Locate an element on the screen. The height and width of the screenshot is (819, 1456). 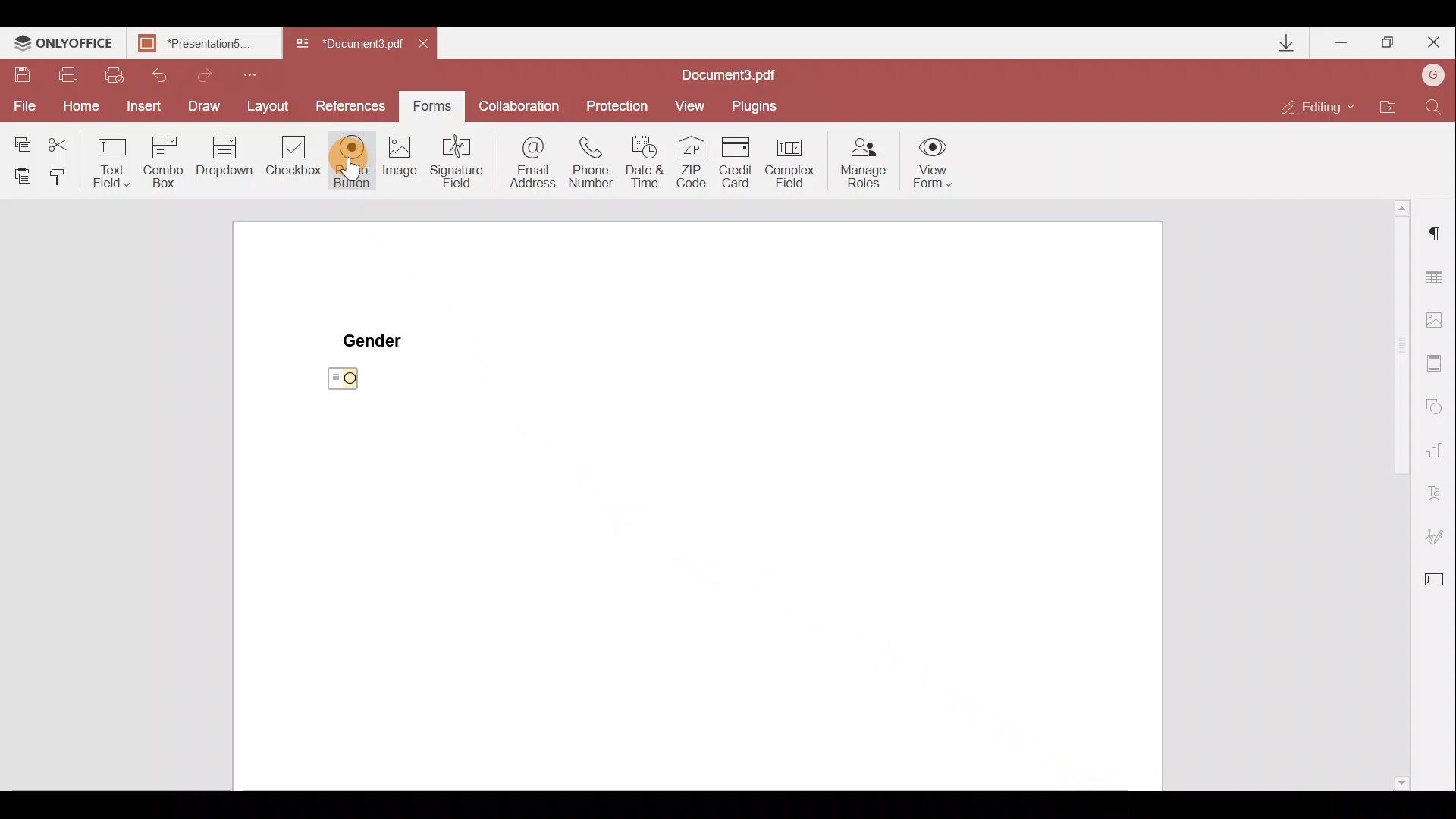
Print file is located at coordinates (70, 74).